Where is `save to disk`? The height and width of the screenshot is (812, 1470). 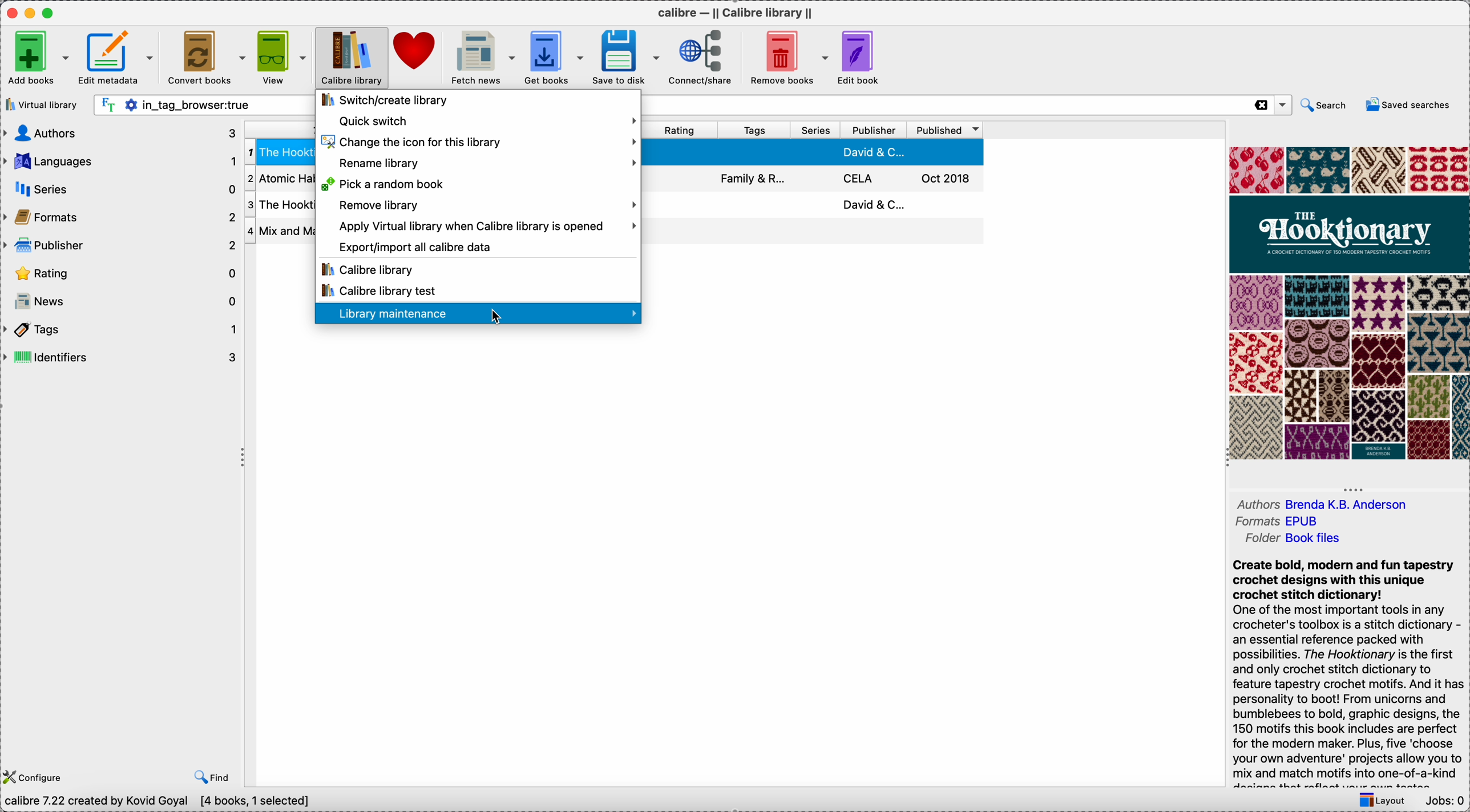
save to disk is located at coordinates (627, 58).